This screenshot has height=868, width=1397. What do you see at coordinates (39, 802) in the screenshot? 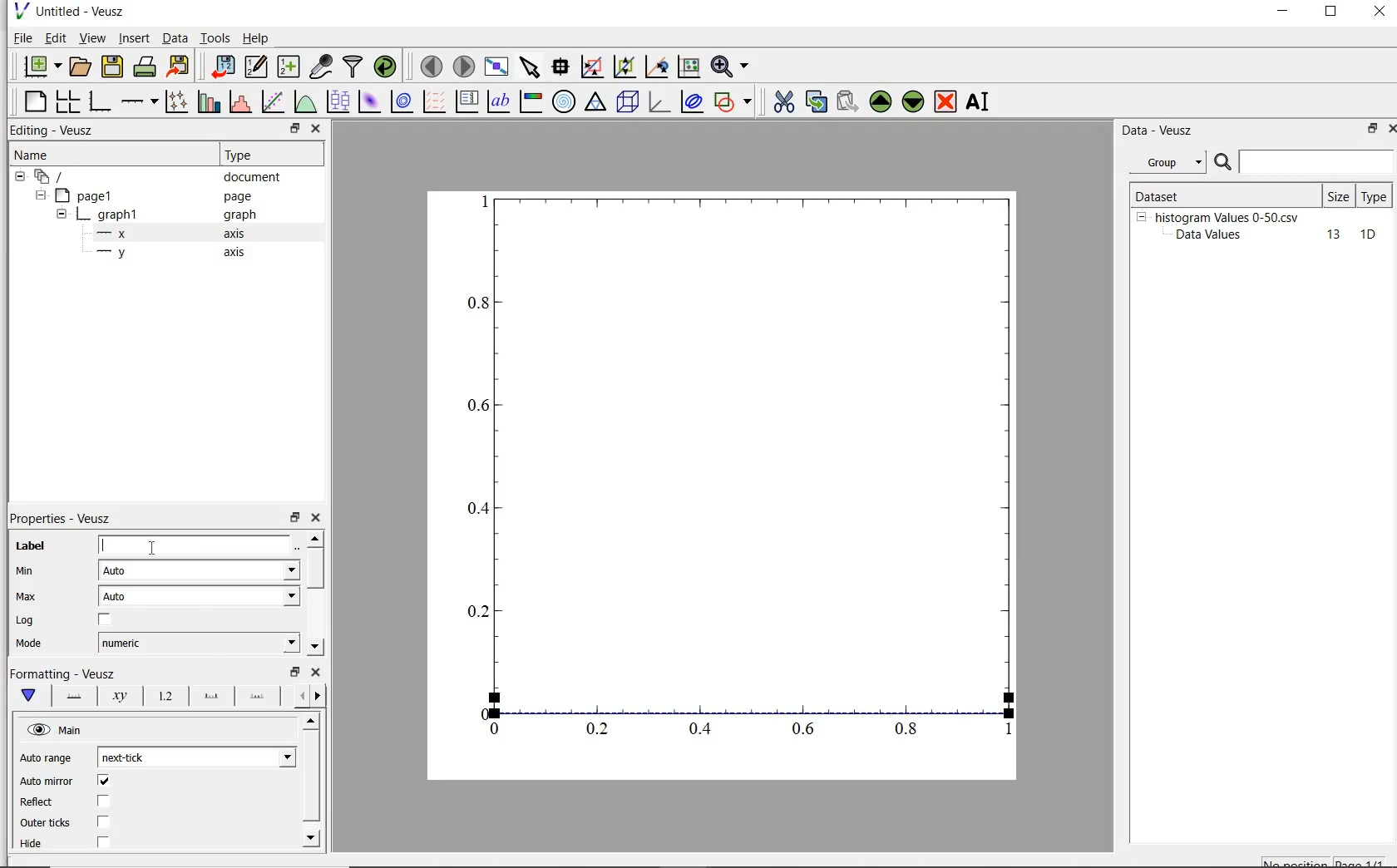
I see ` Reflect` at bounding box center [39, 802].